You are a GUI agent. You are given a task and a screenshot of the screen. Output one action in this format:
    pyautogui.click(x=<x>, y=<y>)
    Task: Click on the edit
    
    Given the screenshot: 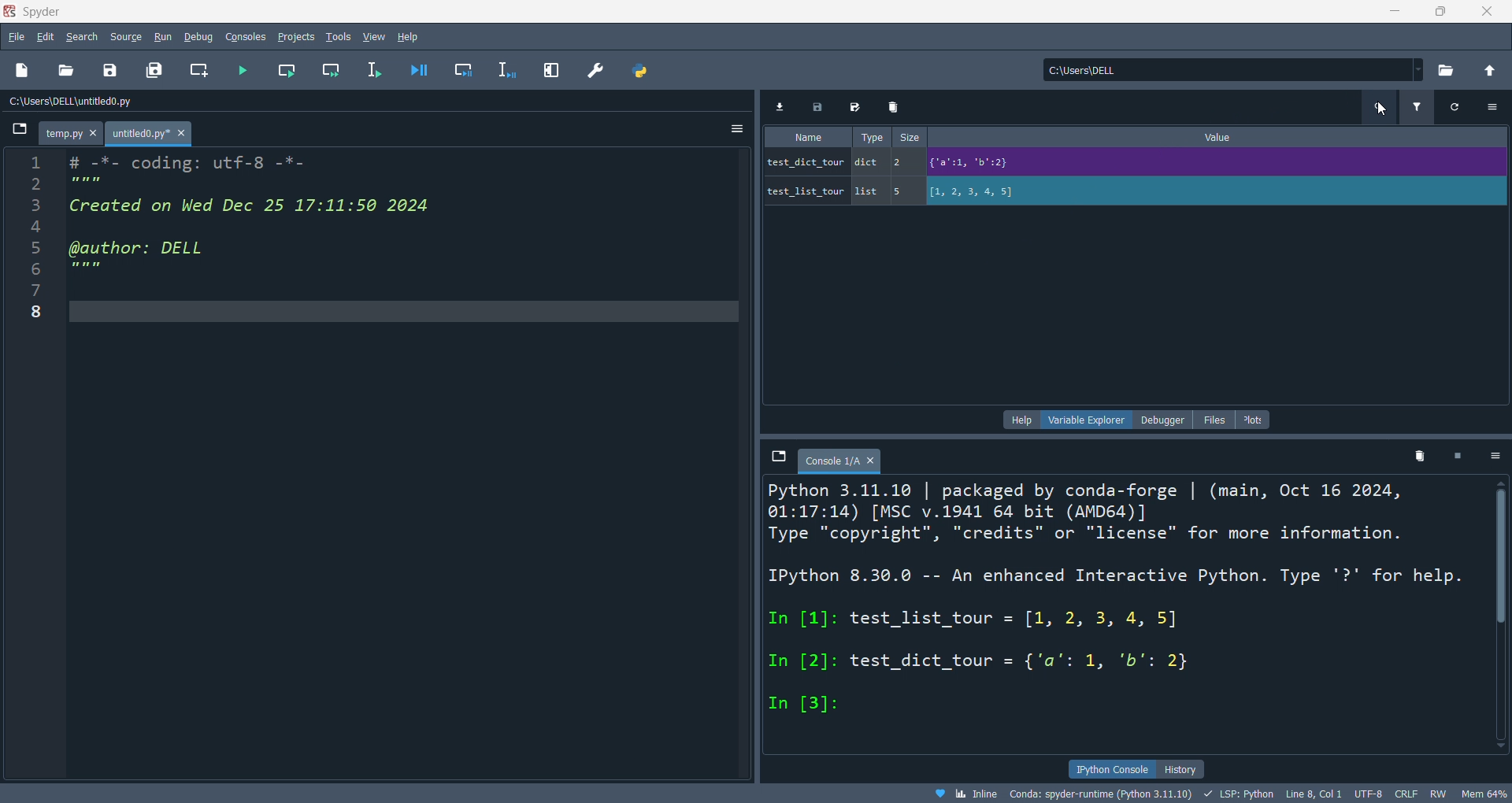 What is the action you would take?
    pyautogui.click(x=45, y=35)
    